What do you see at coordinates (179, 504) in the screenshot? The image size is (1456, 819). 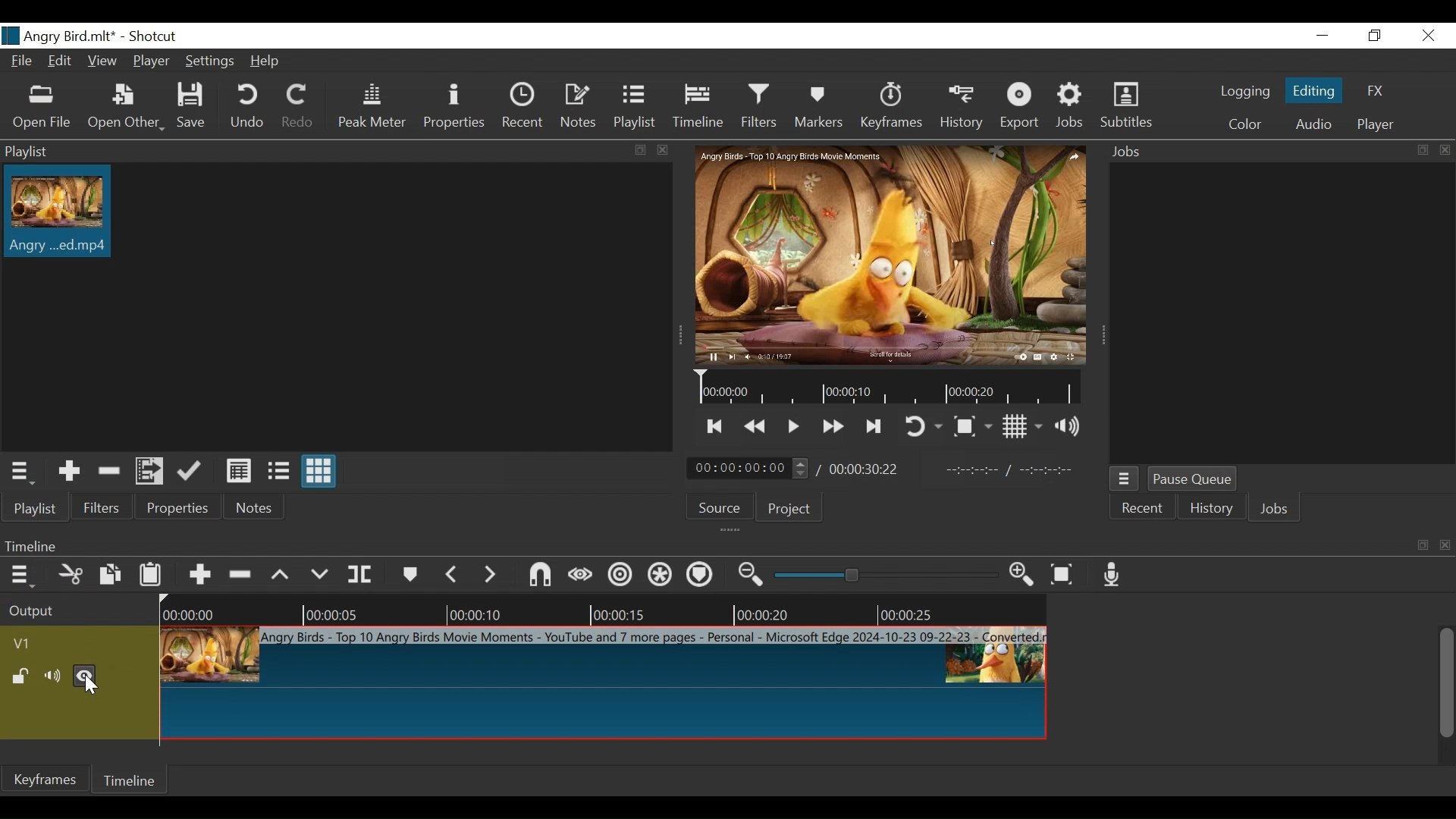 I see `Properties` at bounding box center [179, 504].